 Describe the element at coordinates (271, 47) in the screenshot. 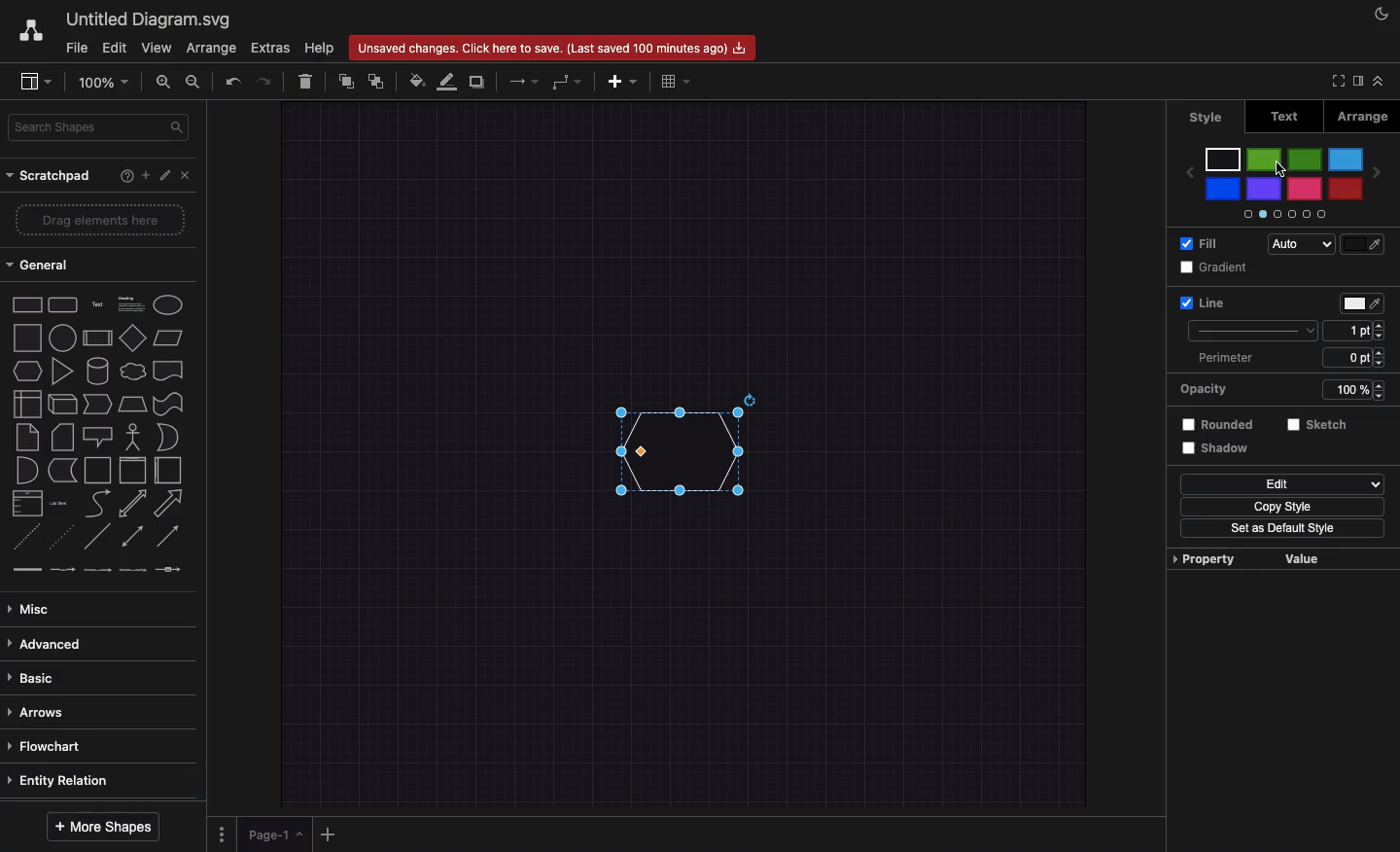

I see `Extras` at that location.